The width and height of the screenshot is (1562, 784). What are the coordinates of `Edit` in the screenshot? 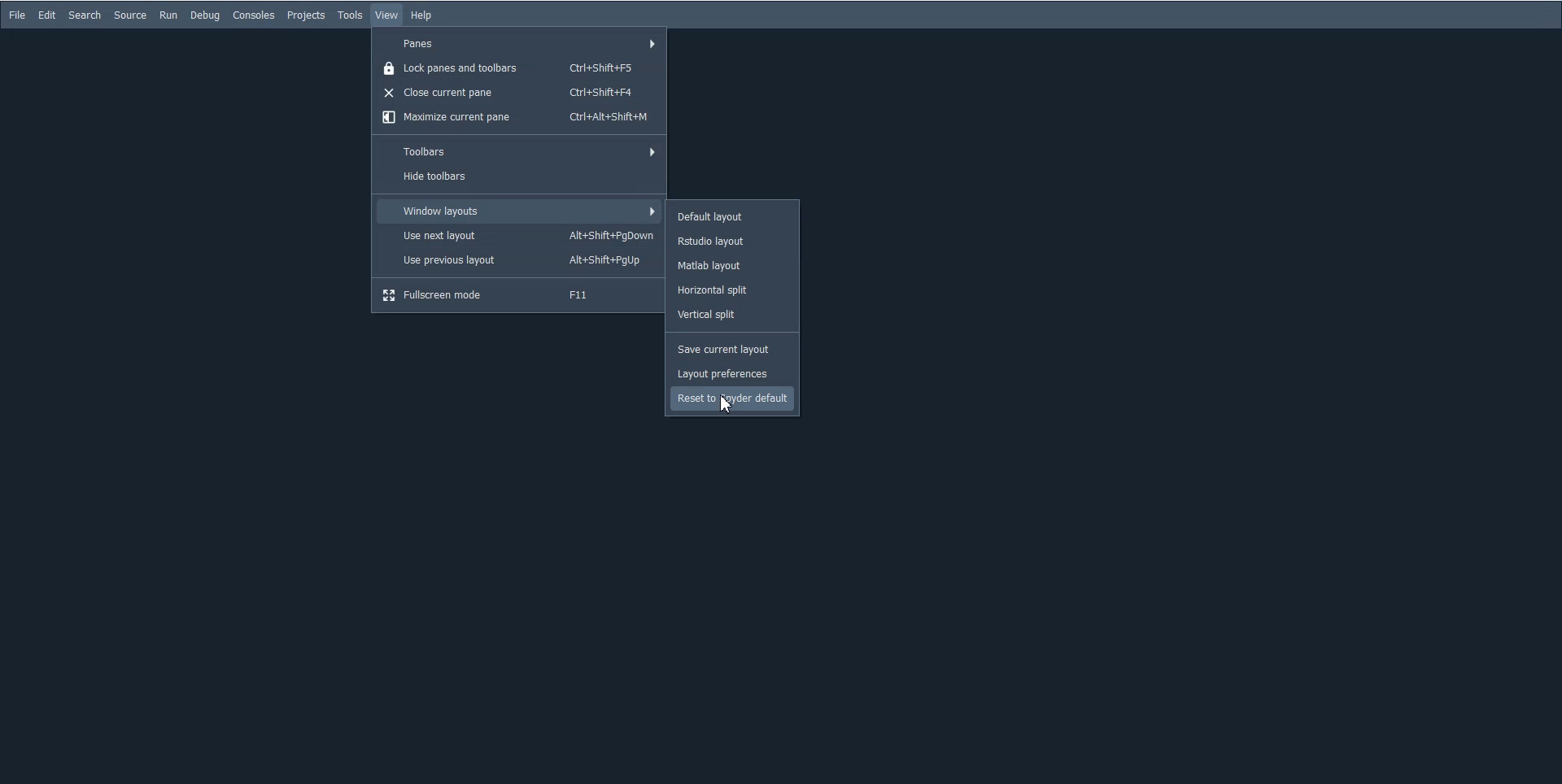 It's located at (47, 15).